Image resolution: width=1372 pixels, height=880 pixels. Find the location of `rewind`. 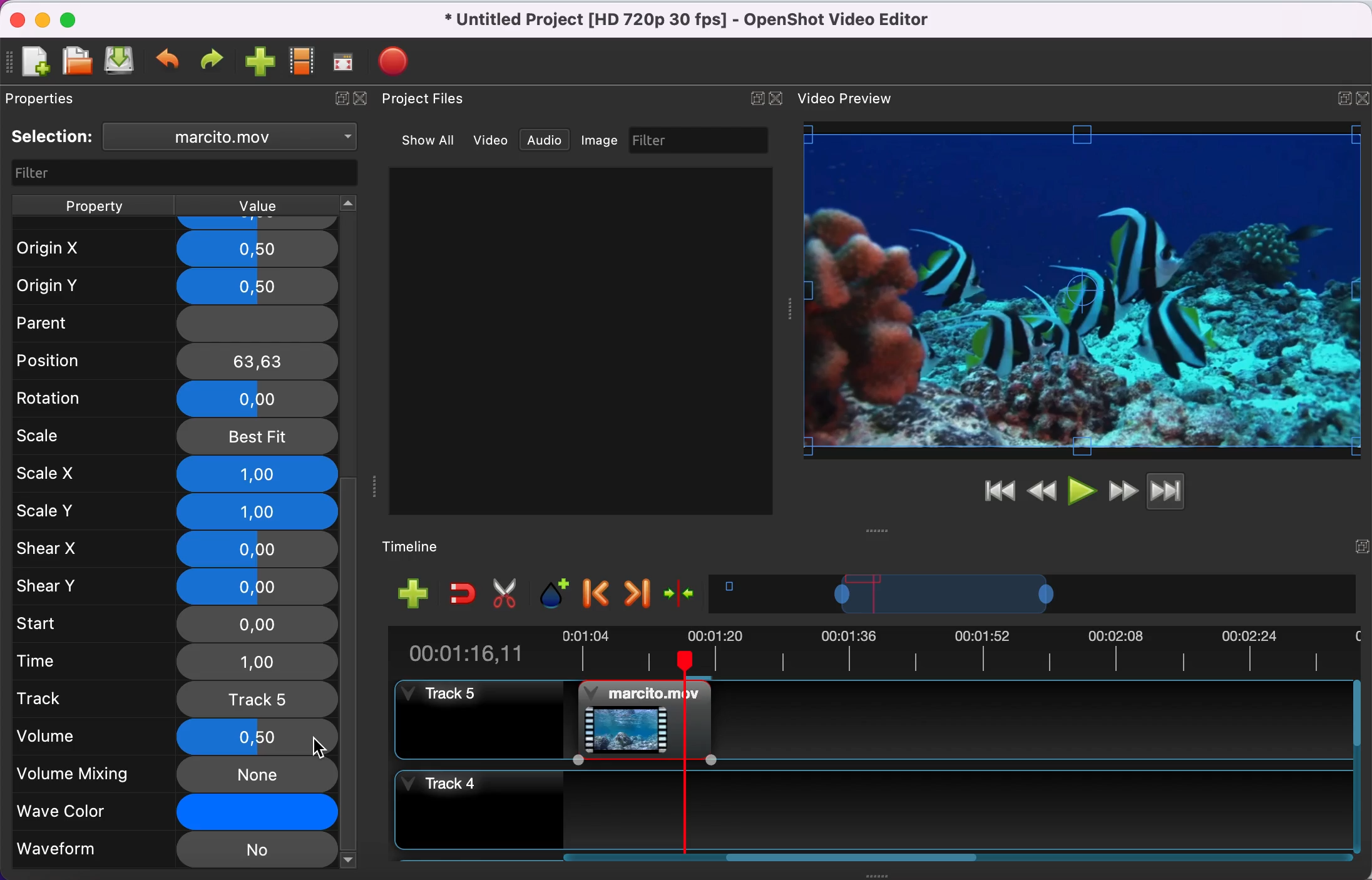

rewind is located at coordinates (1043, 489).